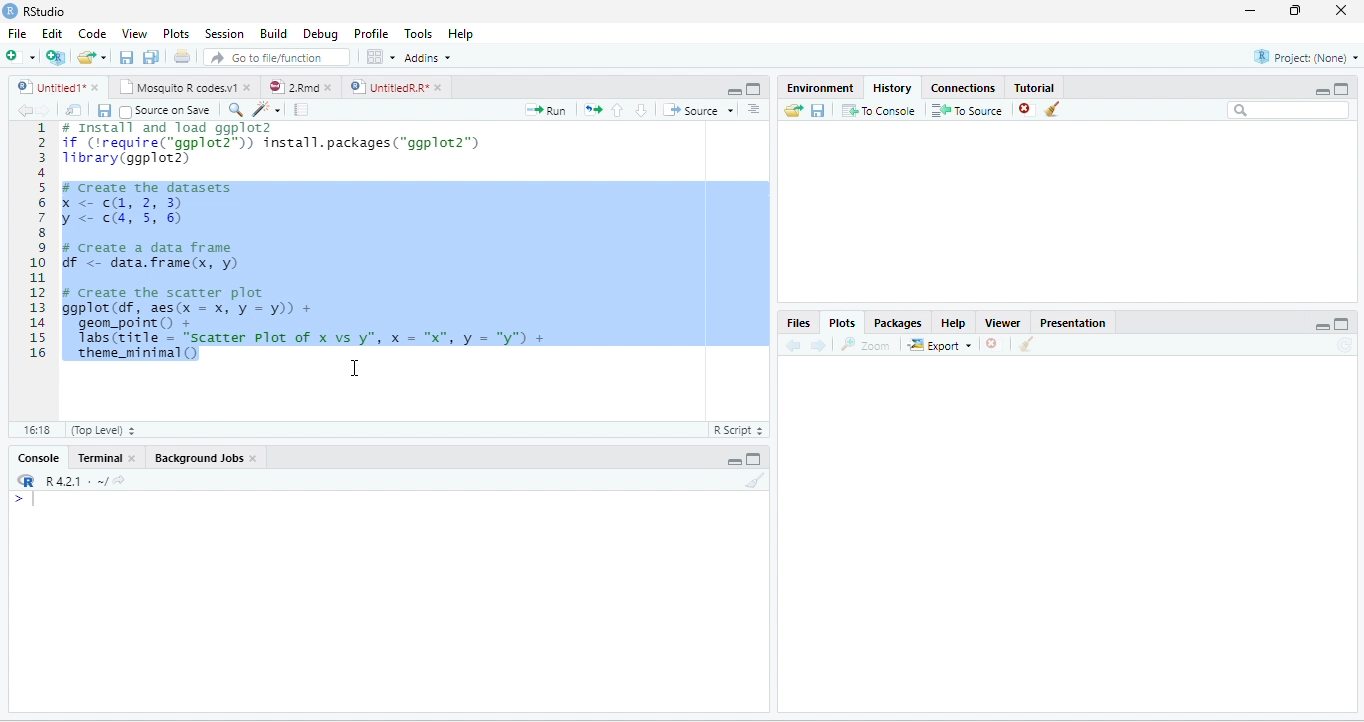 Image resolution: width=1364 pixels, height=722 pixels. What do you see at coordinates (104, 111) in the screenshot?
I see `Save current document` at bounding box center [104, 111].